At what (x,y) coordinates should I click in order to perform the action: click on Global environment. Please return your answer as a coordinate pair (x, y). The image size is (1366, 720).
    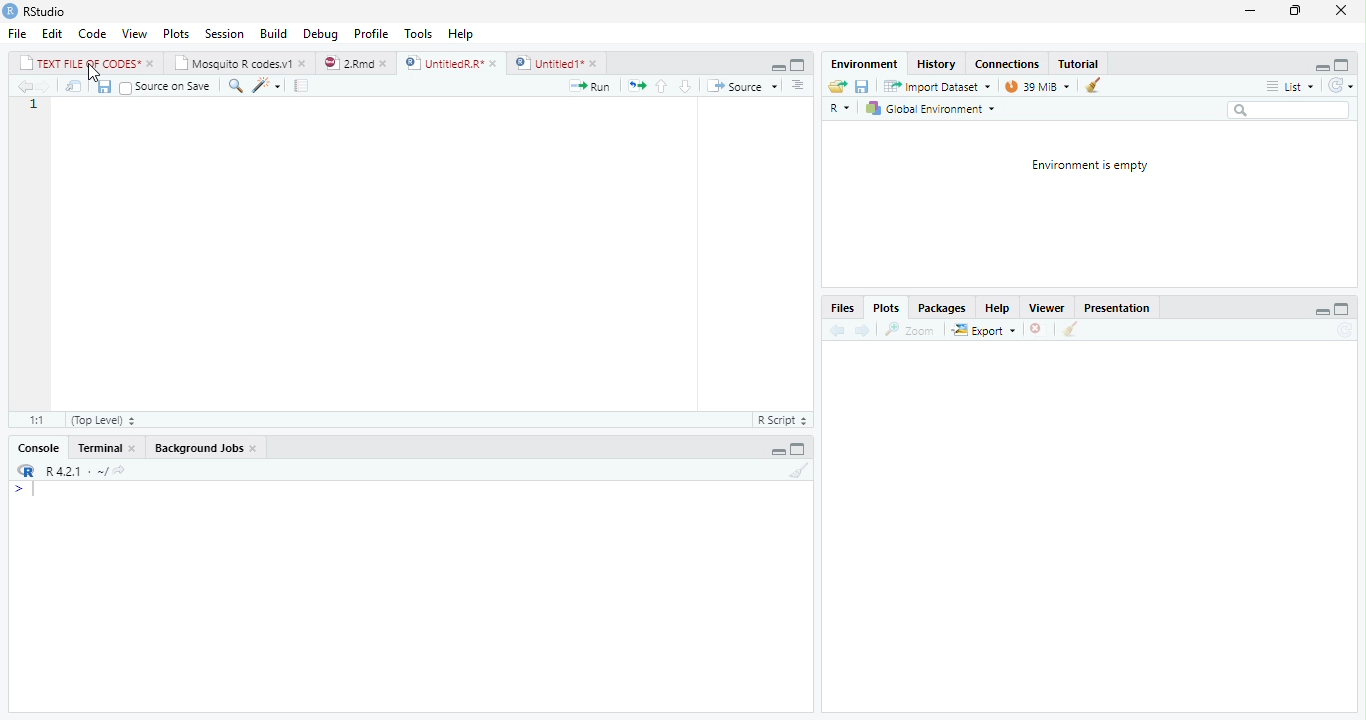
    Looking at the image, I should click on (930, 109).